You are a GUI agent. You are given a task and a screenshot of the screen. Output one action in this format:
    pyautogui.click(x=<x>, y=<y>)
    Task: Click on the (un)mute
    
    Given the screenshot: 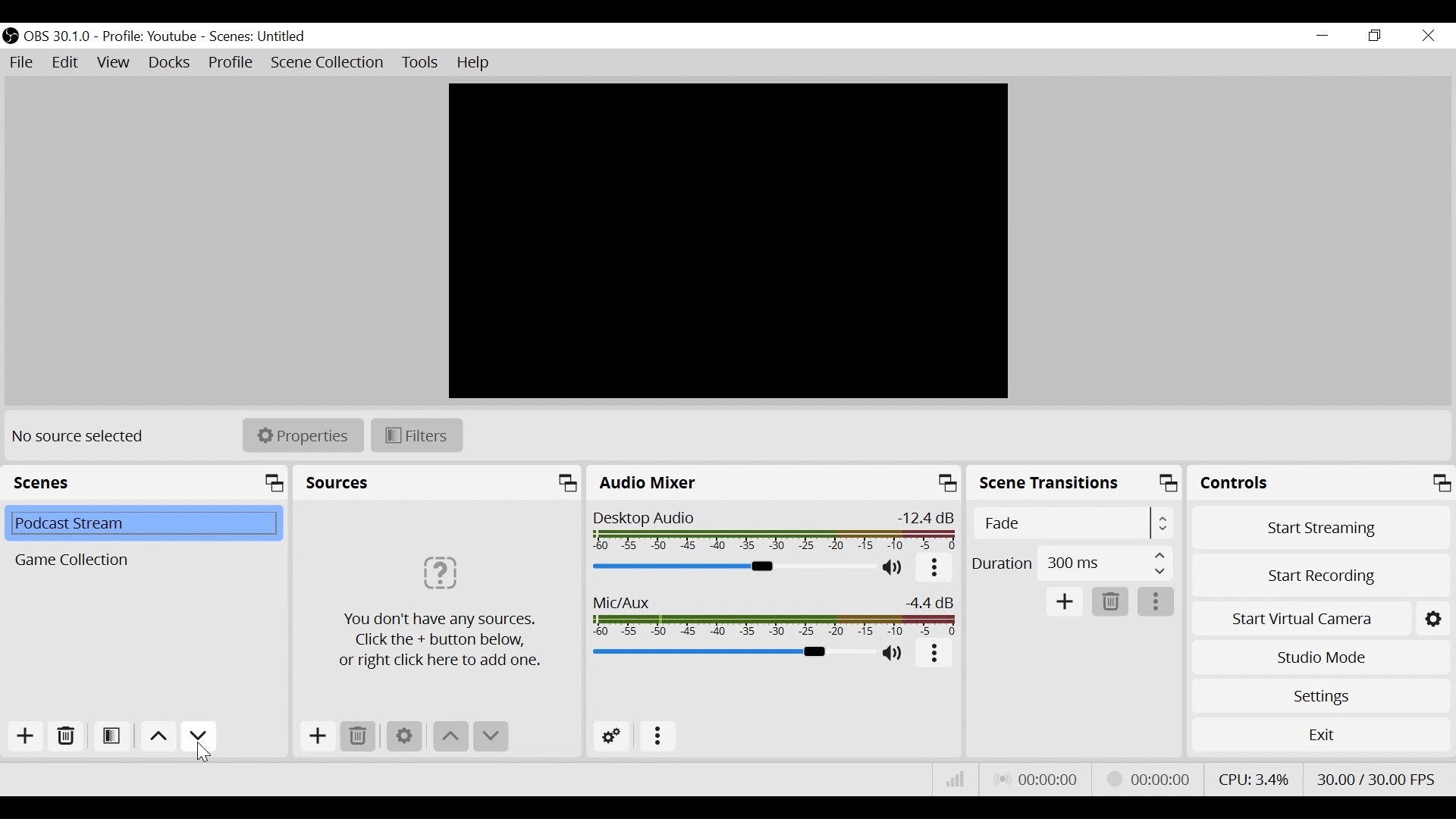 What is the action you would take?
    pyautogui.click(x=893, y=655)
    